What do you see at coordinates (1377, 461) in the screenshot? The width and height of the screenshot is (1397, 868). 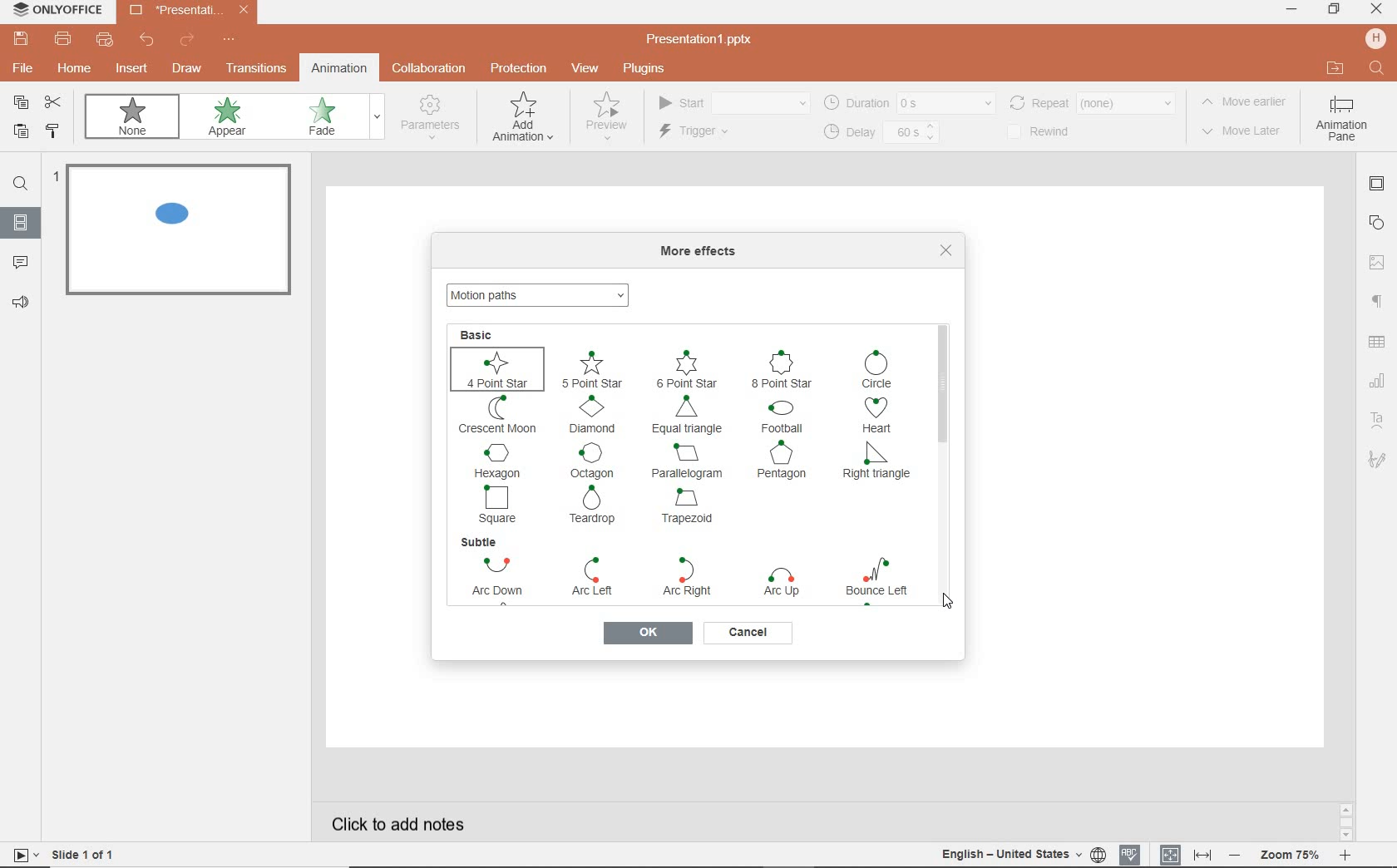 I see `signature` at bounding box center [1377, 461].